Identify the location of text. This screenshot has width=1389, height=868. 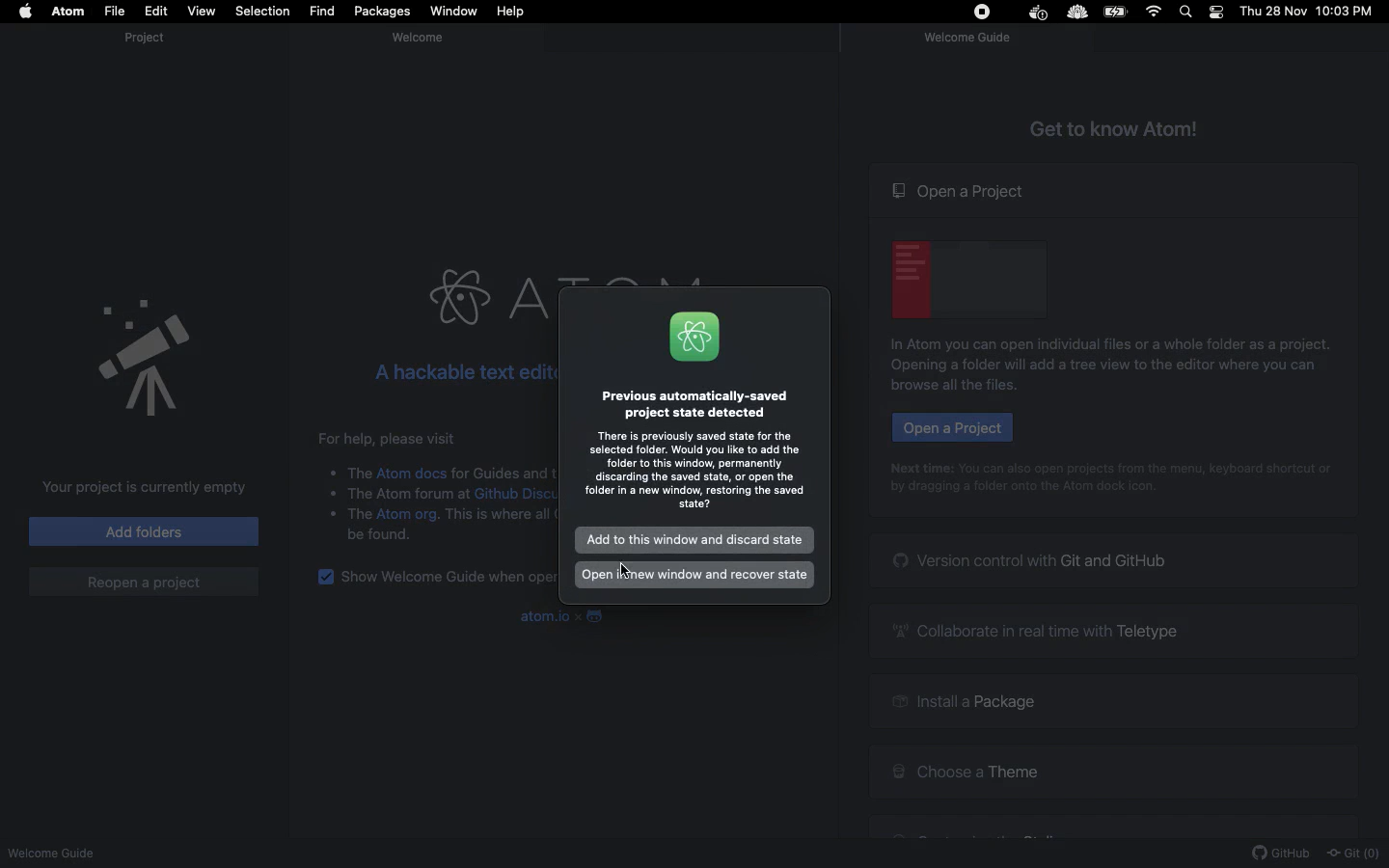
(409, 497).